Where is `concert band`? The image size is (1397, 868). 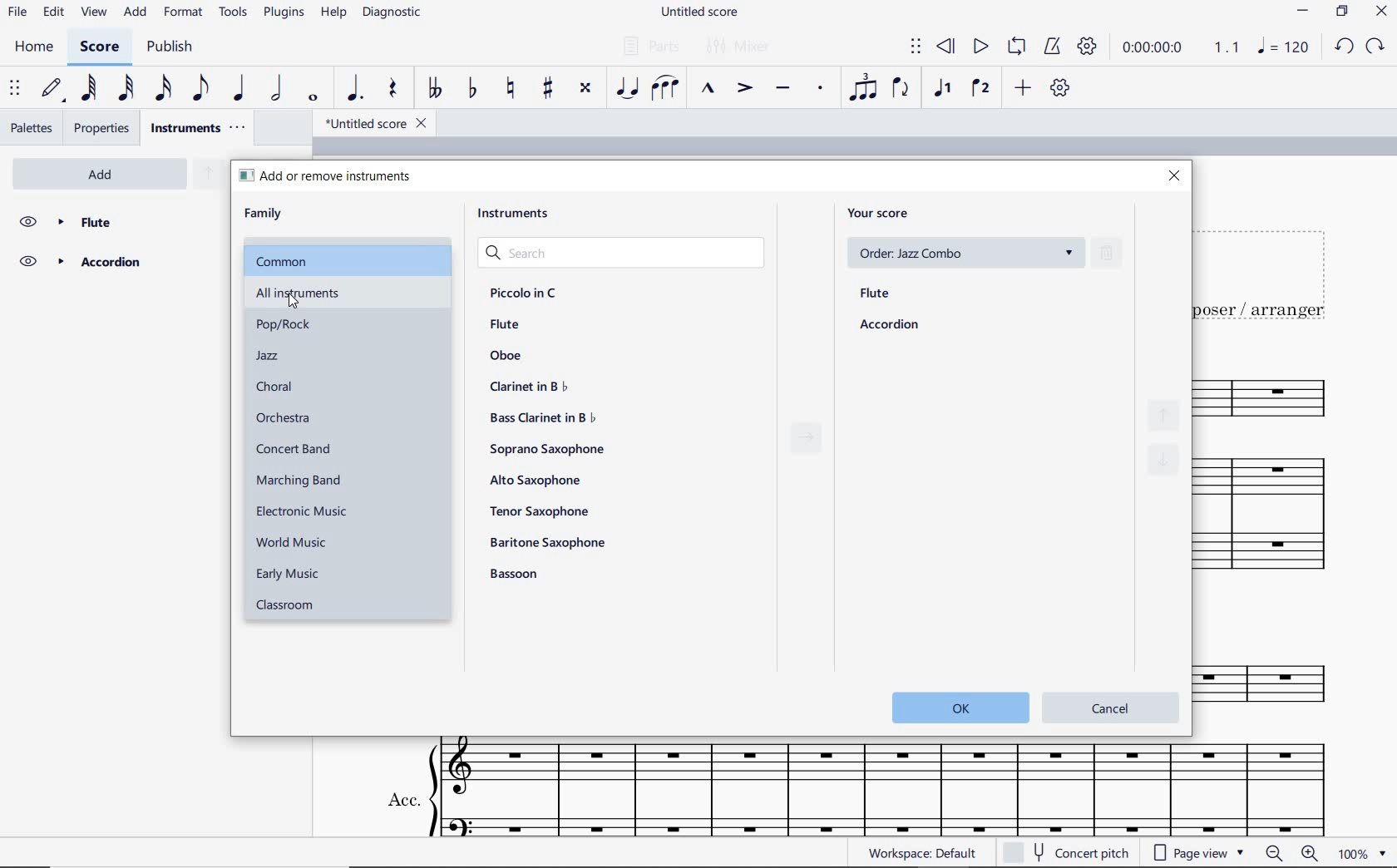 concert band is located at coordinates (294, 450).